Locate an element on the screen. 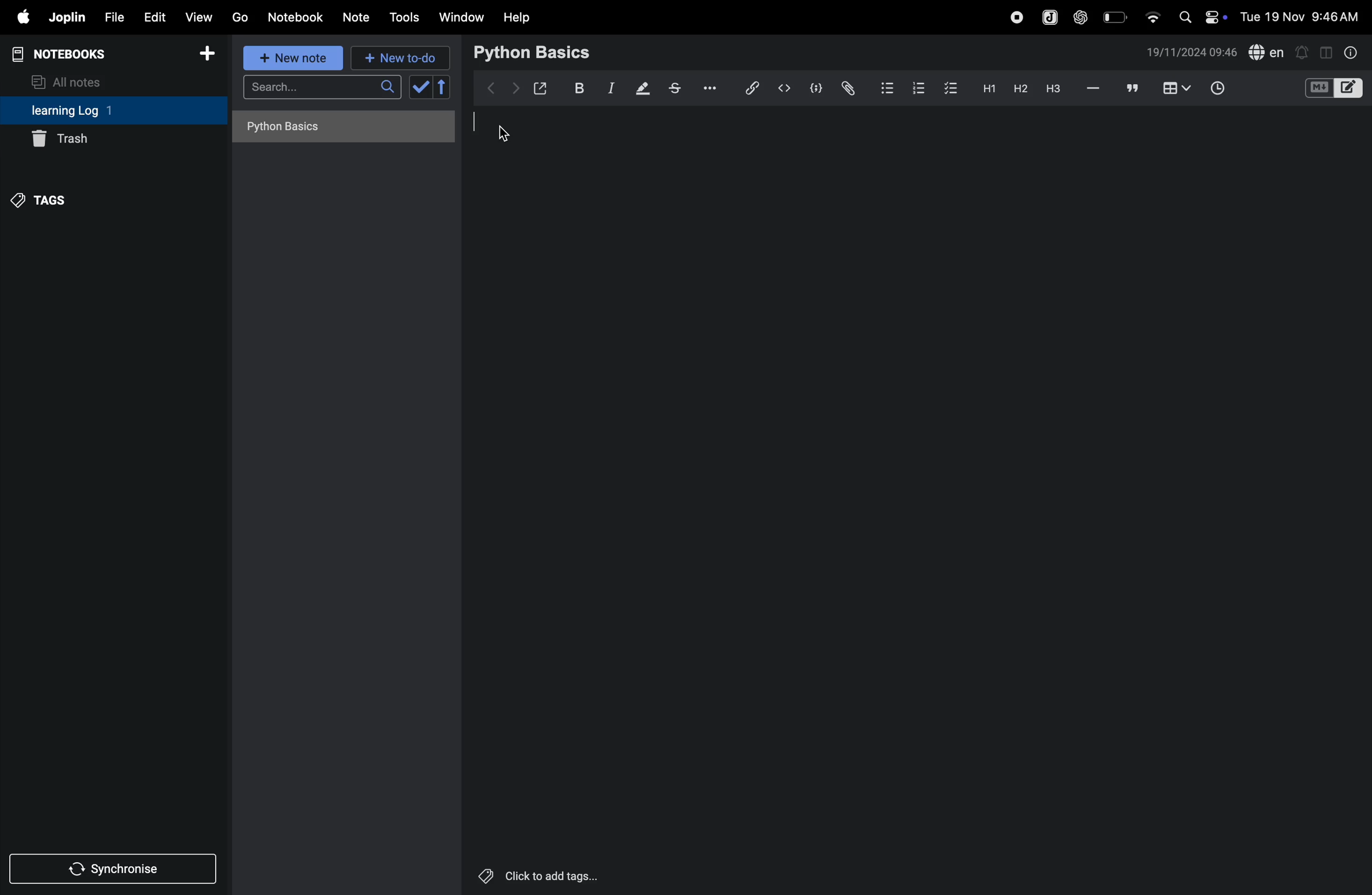  strike through is located at coordinates (675, 88).